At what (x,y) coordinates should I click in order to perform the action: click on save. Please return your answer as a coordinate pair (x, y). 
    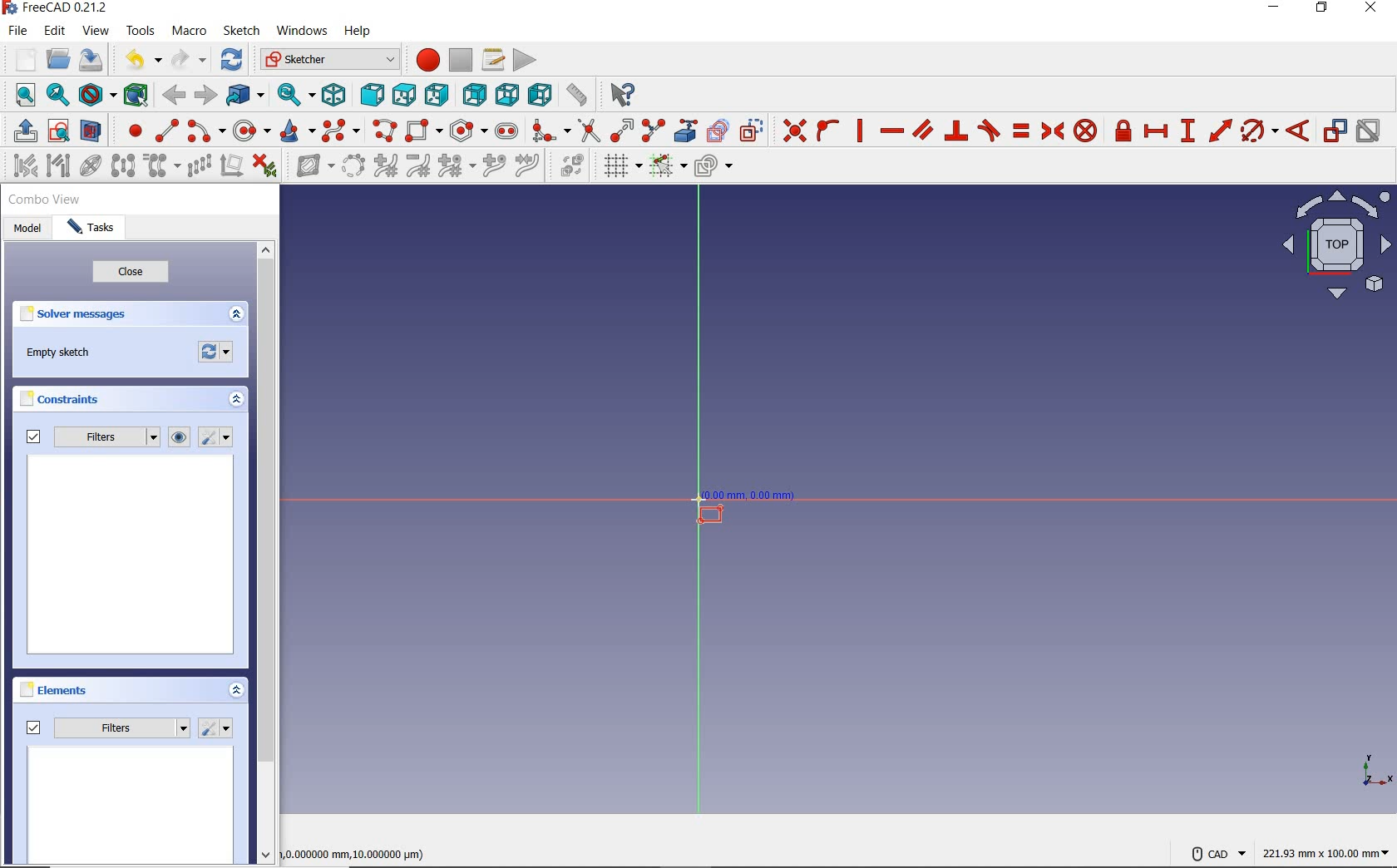
    Looking at the image, I should click on (91, 59).